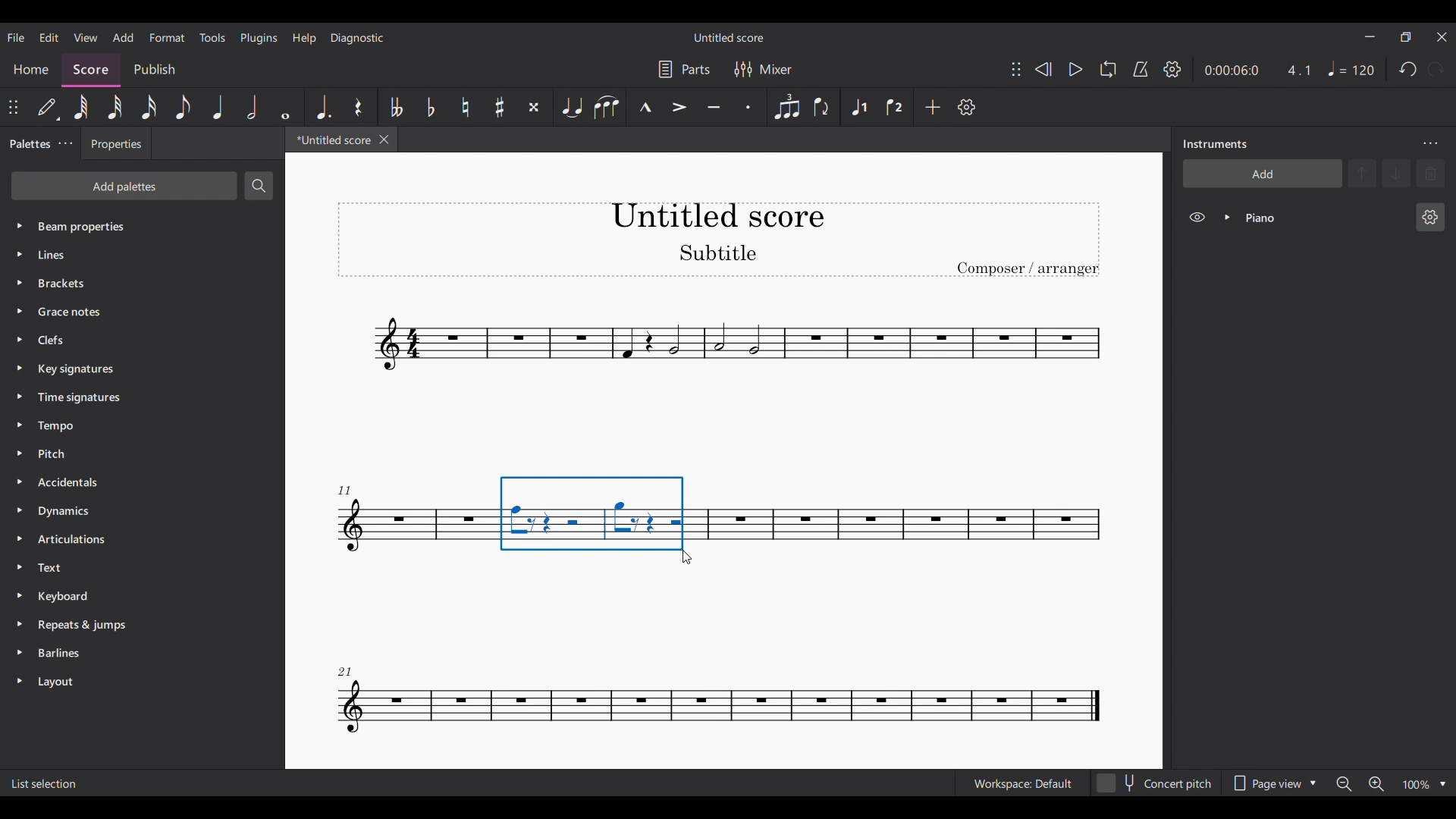 The height and width of the screenshot is (819, 1456). What do you see at coordinates (748, 107) in the screenshot?
I see `Staccato` at bounding box center [748, 107].